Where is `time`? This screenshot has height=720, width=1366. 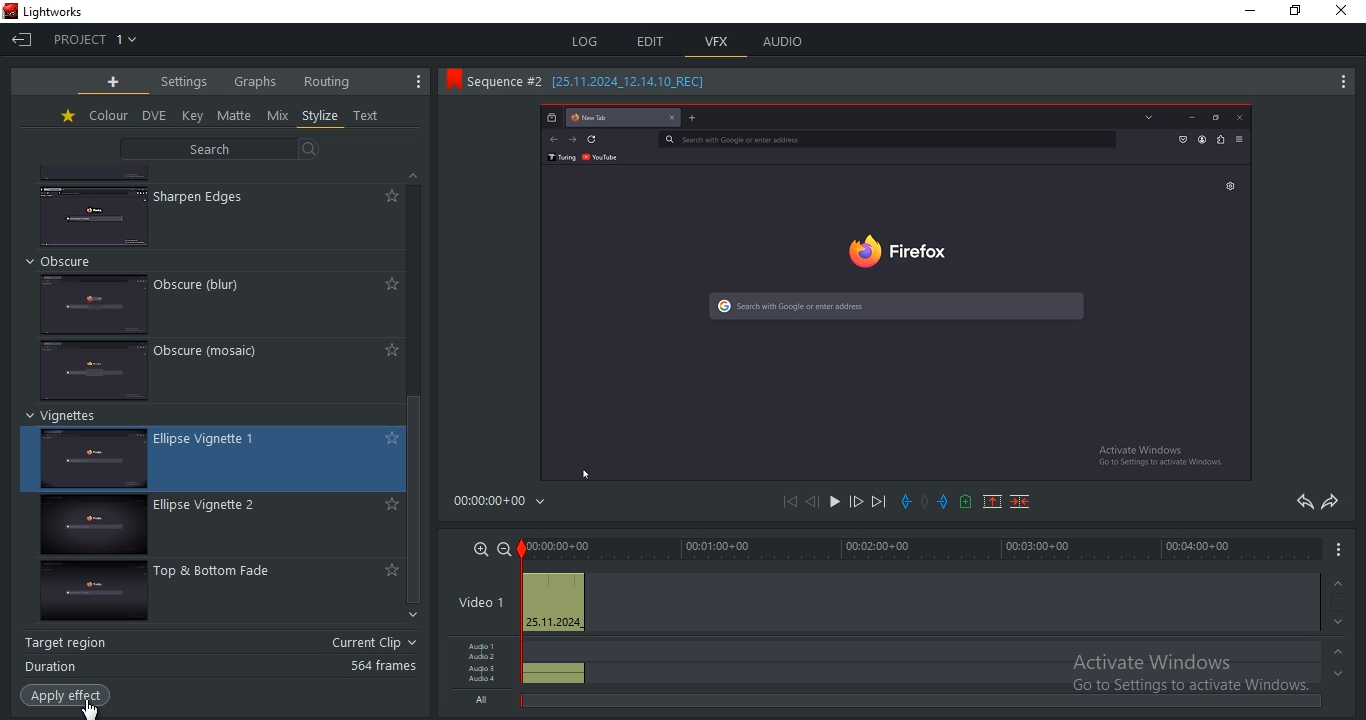
time is located at coordinates (507, 501).